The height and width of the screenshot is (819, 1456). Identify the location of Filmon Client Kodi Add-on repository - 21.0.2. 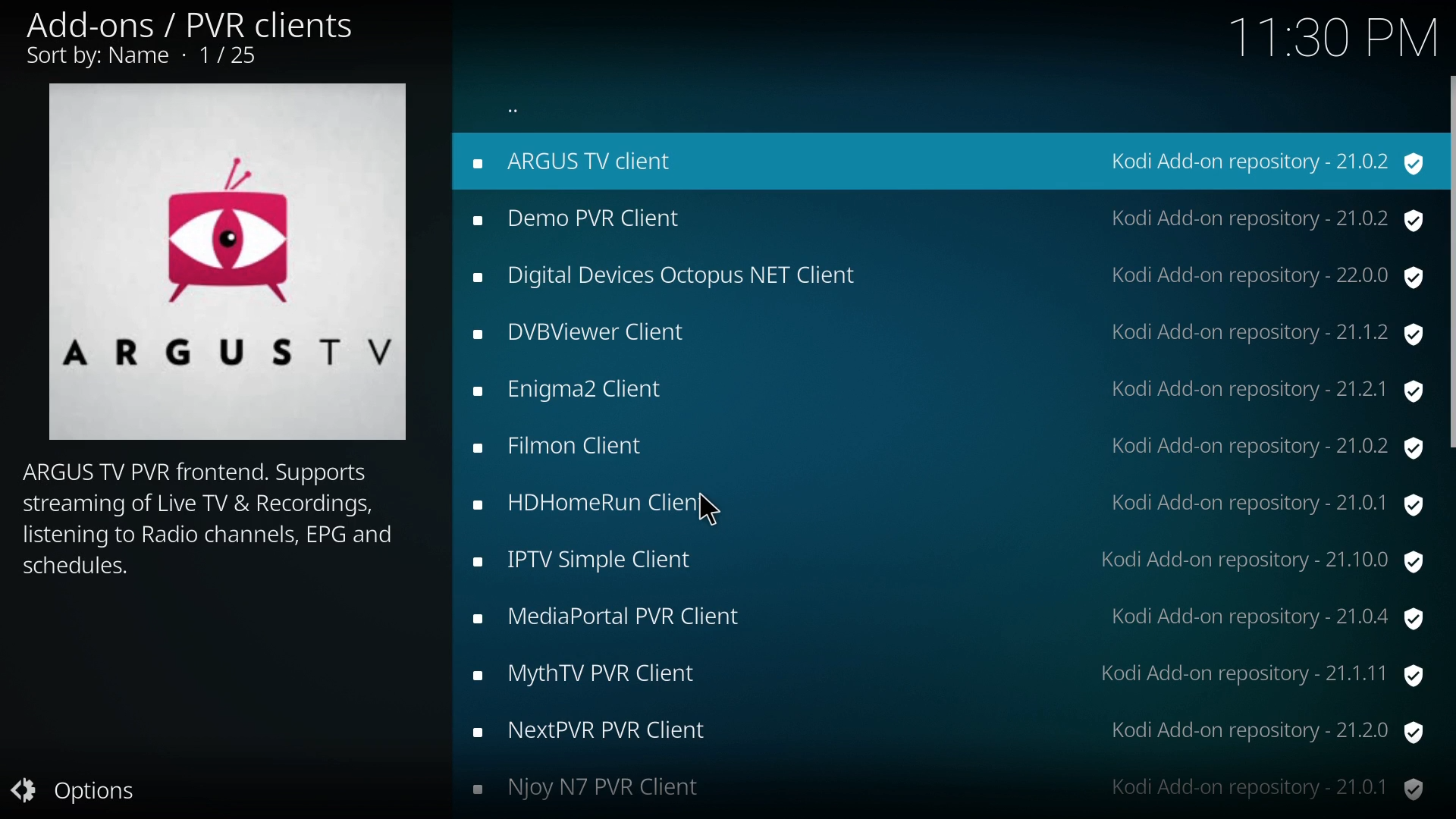
(943, 447).